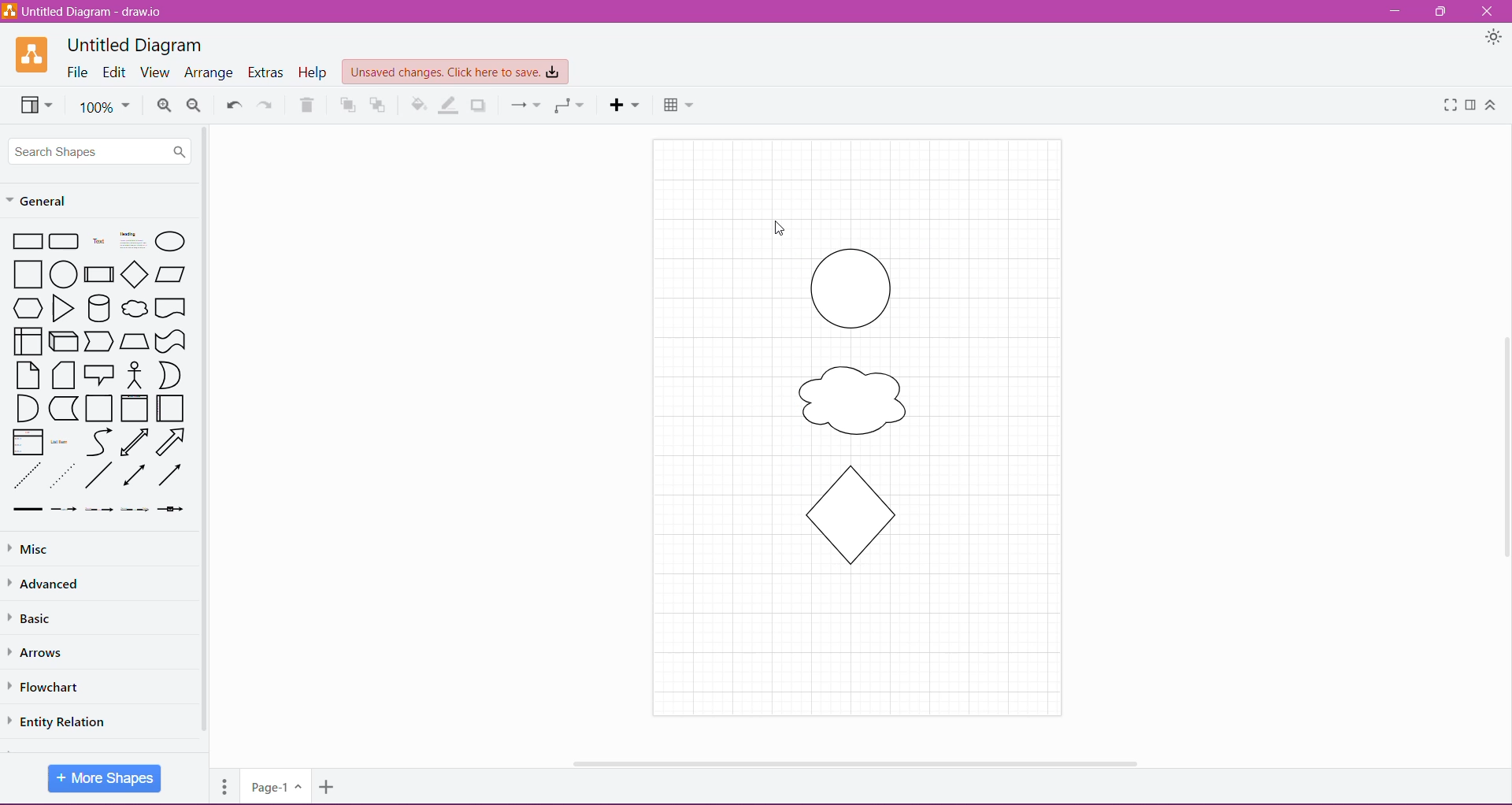 This screenshot has height=805, width=1512. Describe the element at coordinates (232, 103) in the screenshot. I see `Undo` at that location.